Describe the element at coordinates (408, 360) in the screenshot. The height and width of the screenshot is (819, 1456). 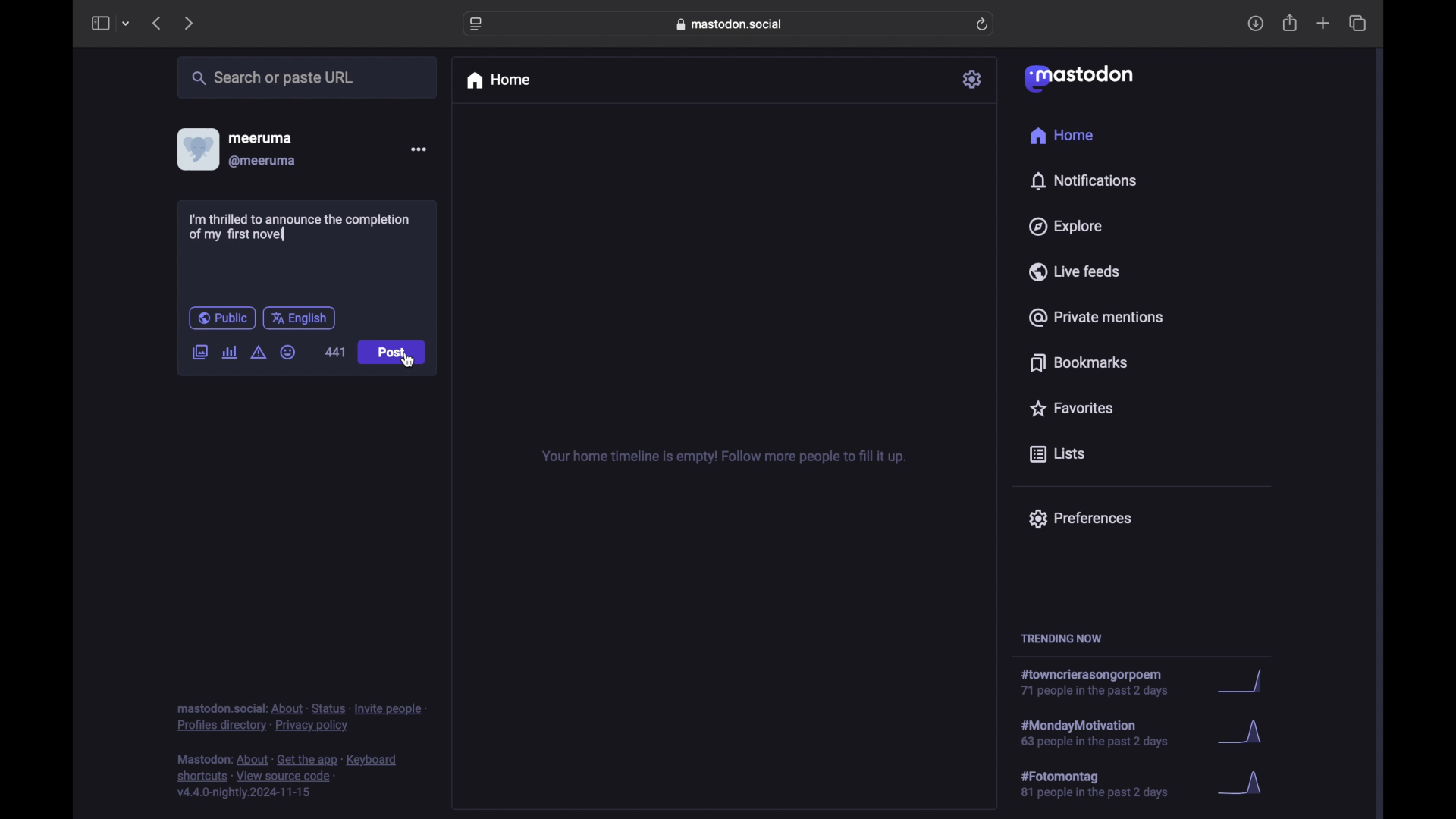
I see `cursor` at that location.